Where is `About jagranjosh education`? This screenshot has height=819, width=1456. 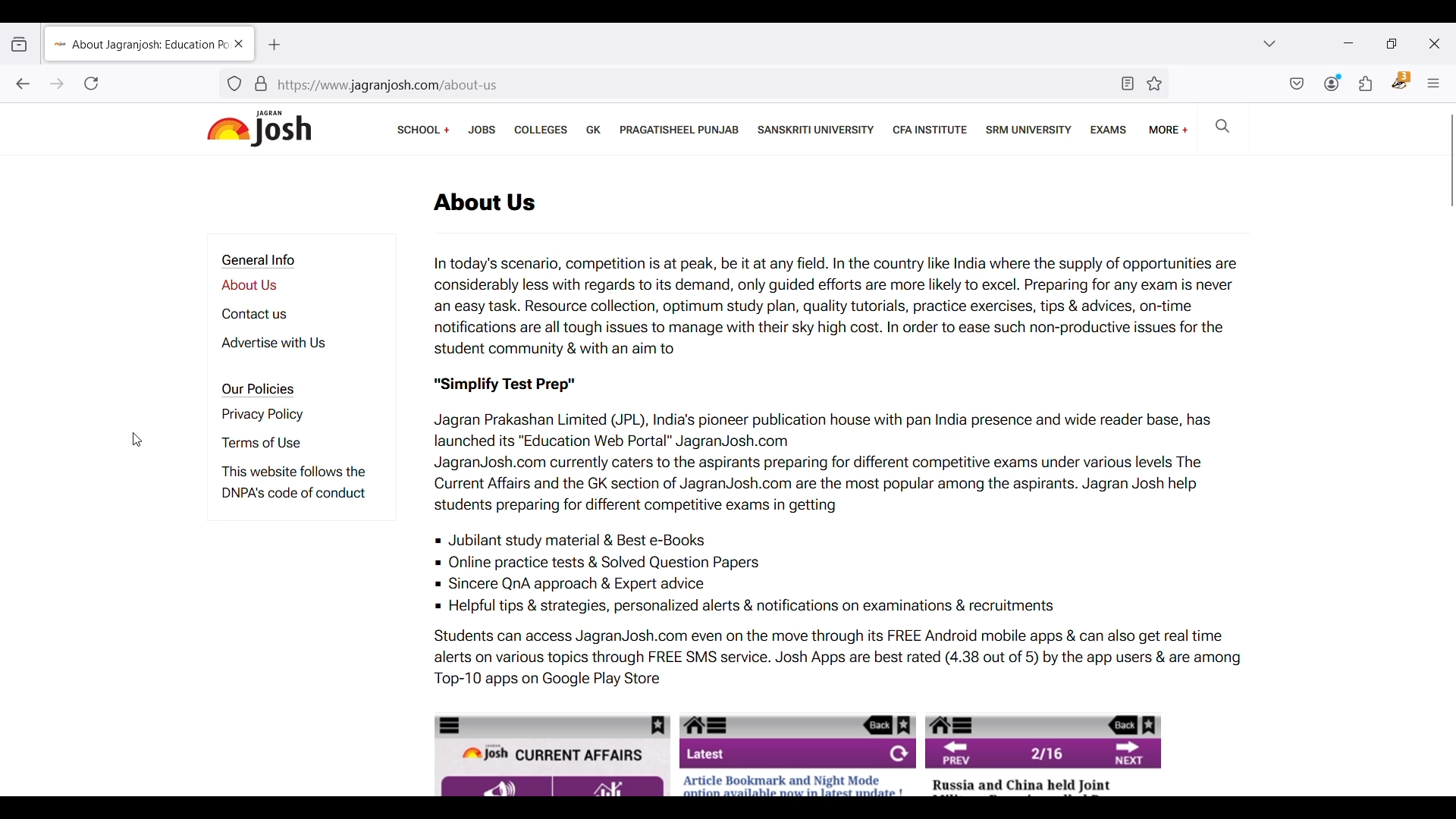 About jagranjosh education is located at coordinates (136, 43).